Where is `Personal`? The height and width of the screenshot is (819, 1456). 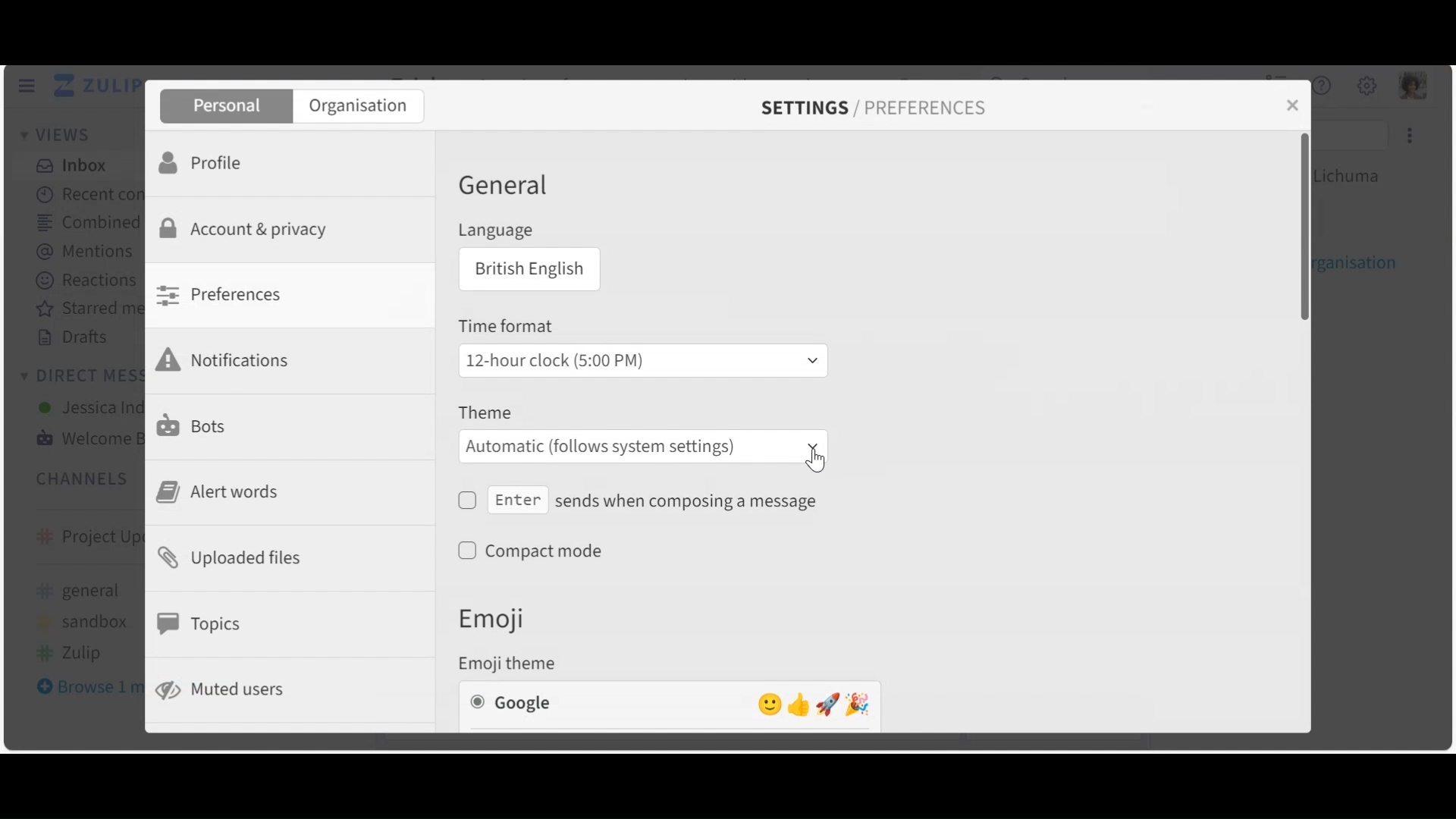
Personal is located at coordinates (226, 107).